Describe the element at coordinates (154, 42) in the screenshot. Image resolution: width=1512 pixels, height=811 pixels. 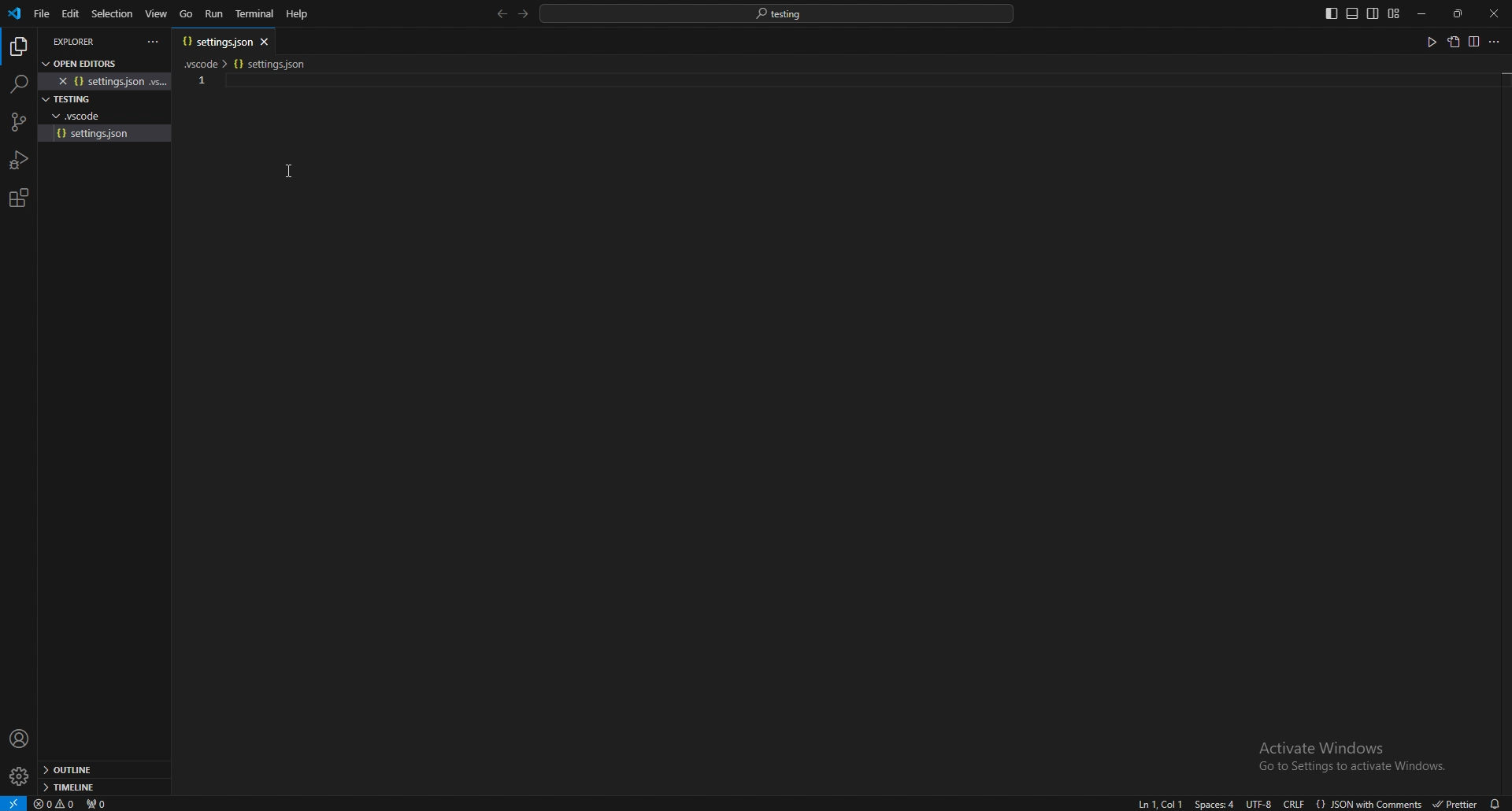
I see `options` at that location.